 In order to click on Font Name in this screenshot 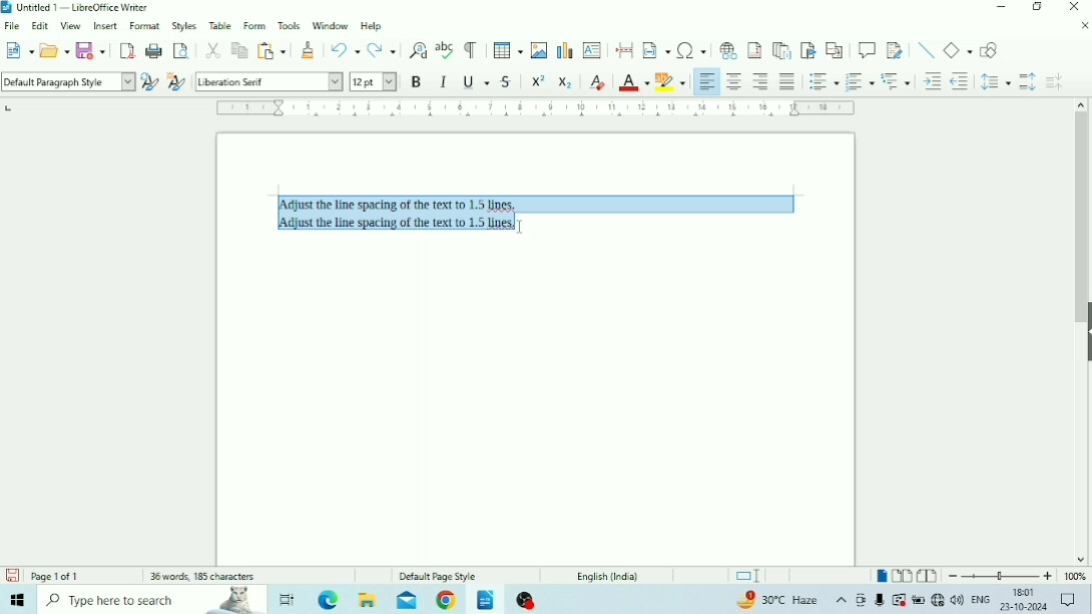, I will do `click(269, 81)`.